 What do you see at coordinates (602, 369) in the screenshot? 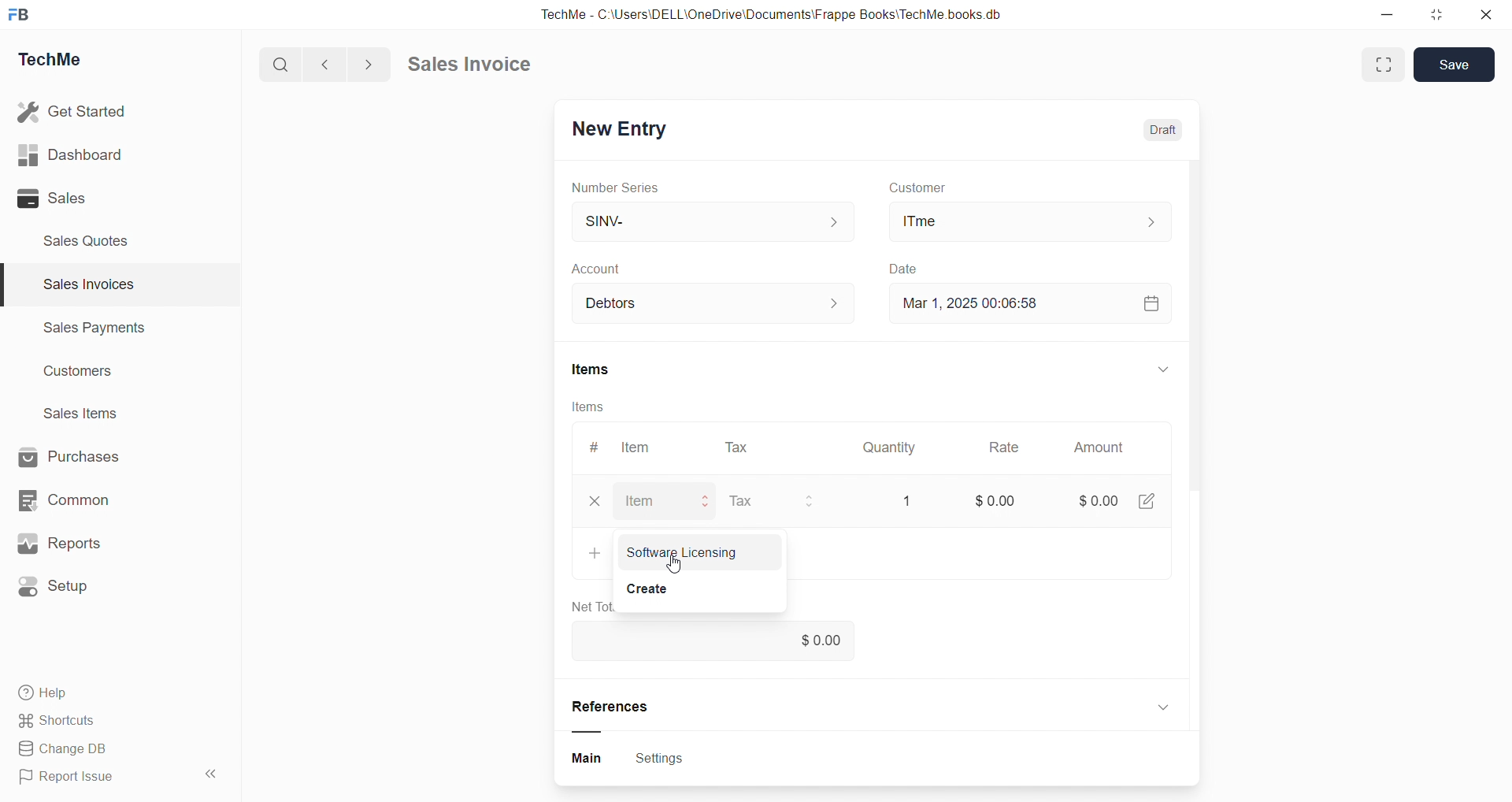
I see `Items` at bounding box center [602, 369].